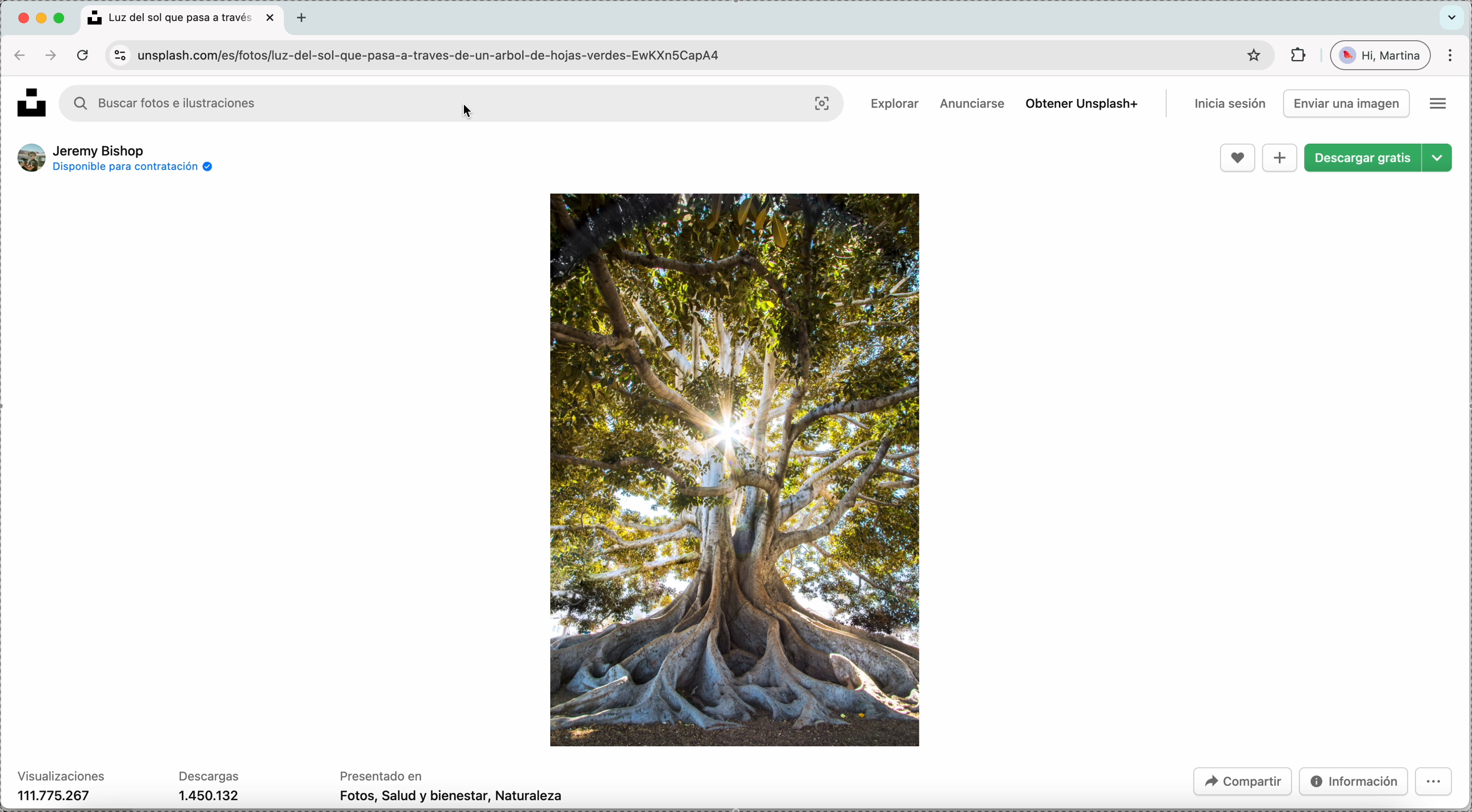 The width and height of the screenshot is (1472, 812). Describe the element at coordinates (1250, 55) in the screenshot. I see `favorites` at that location.